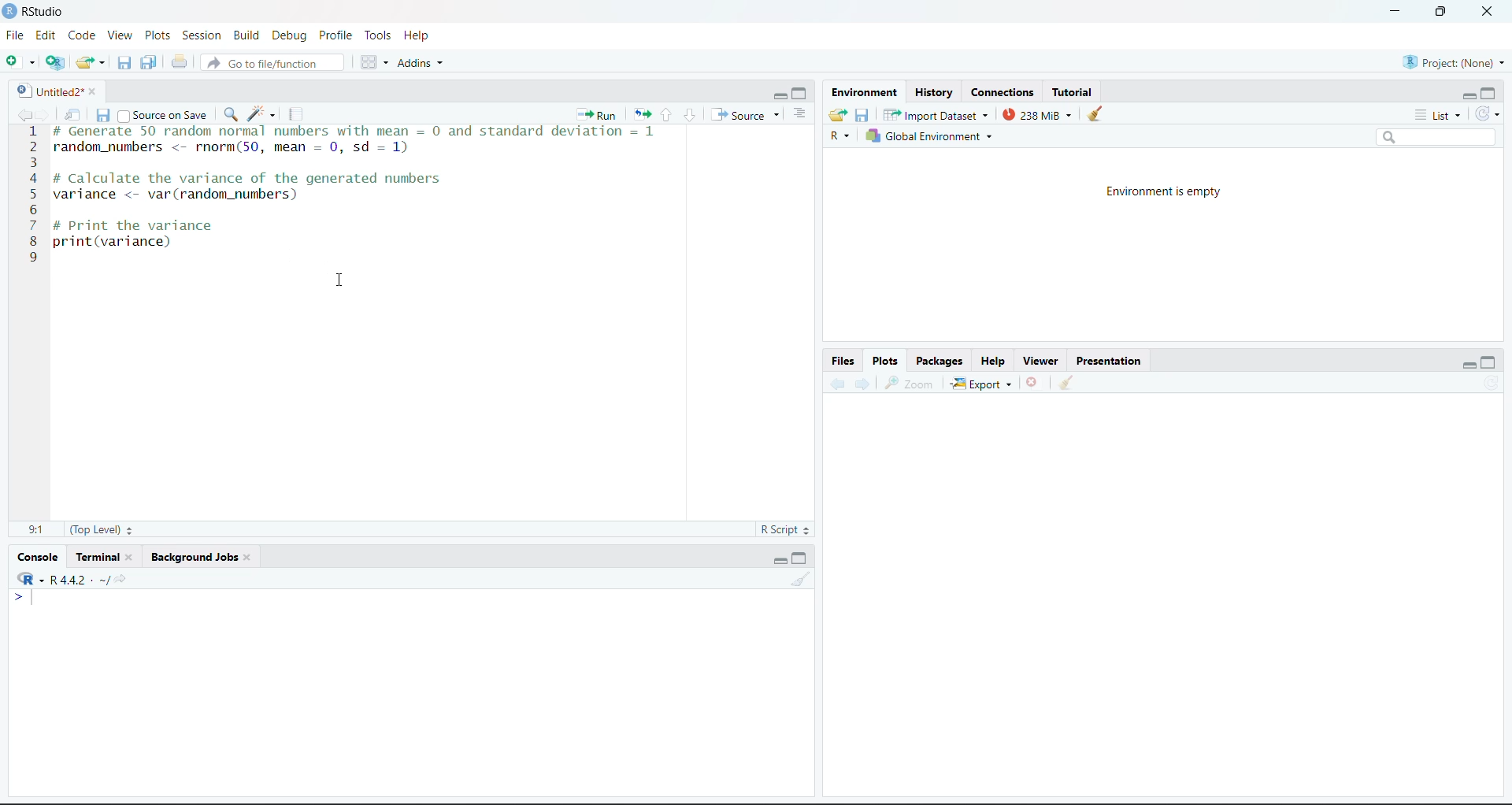 This screenshot has height=805, width=1512. I want to click on Help, so click(417, 35).